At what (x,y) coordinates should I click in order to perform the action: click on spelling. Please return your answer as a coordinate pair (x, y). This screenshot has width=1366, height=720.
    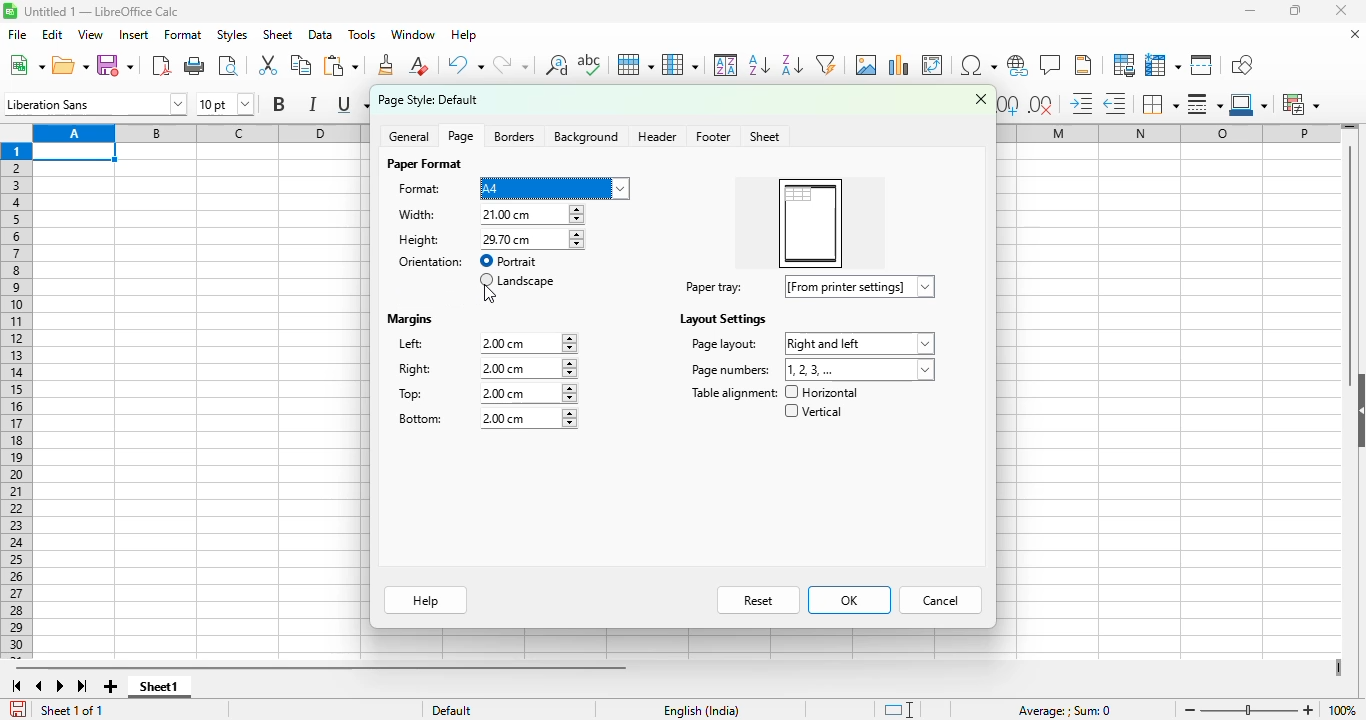
    Looking at the image, I should click on (590, 64).